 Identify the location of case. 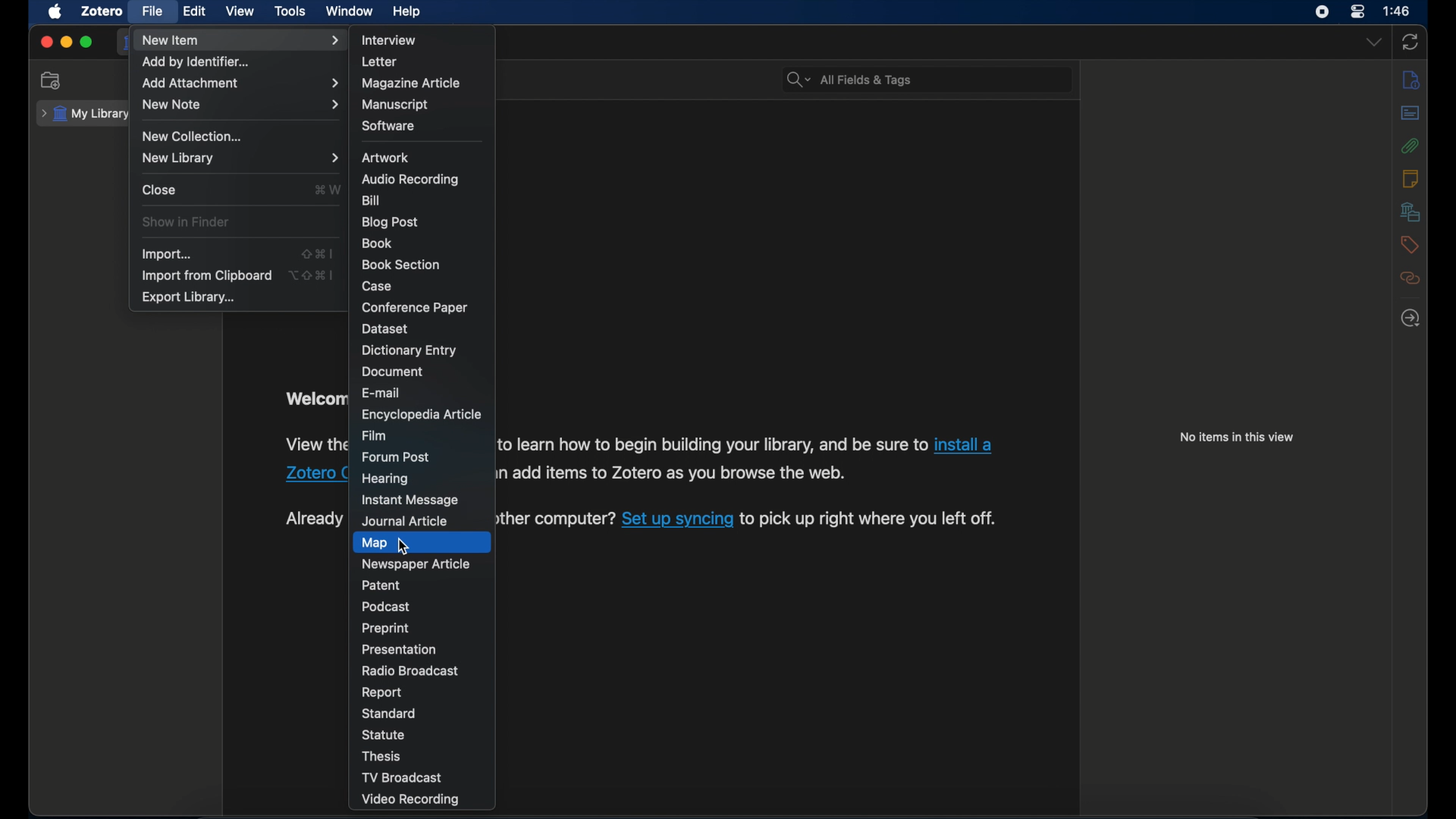
(378, 286).